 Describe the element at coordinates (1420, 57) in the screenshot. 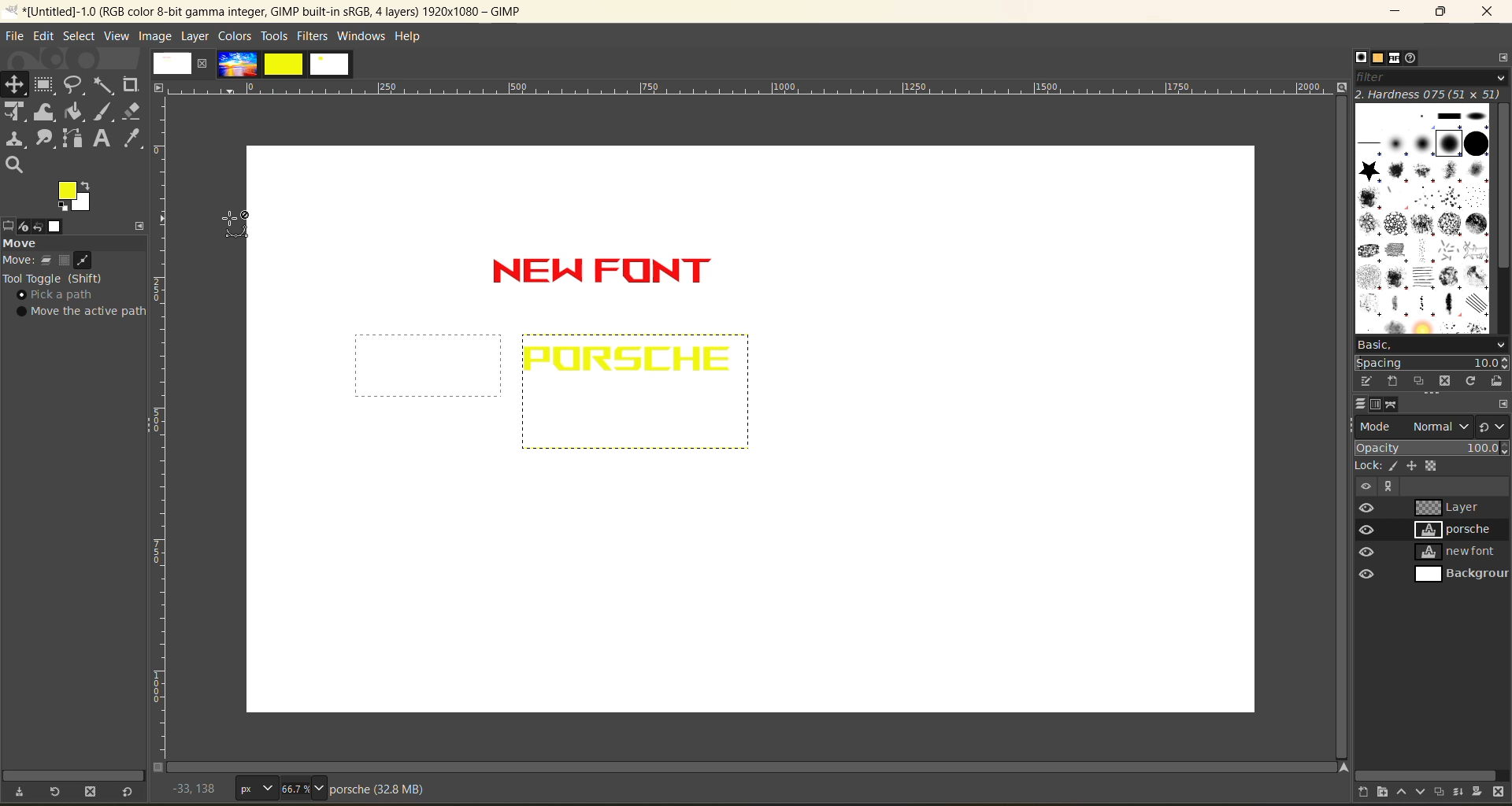

I see `document history` at that location.